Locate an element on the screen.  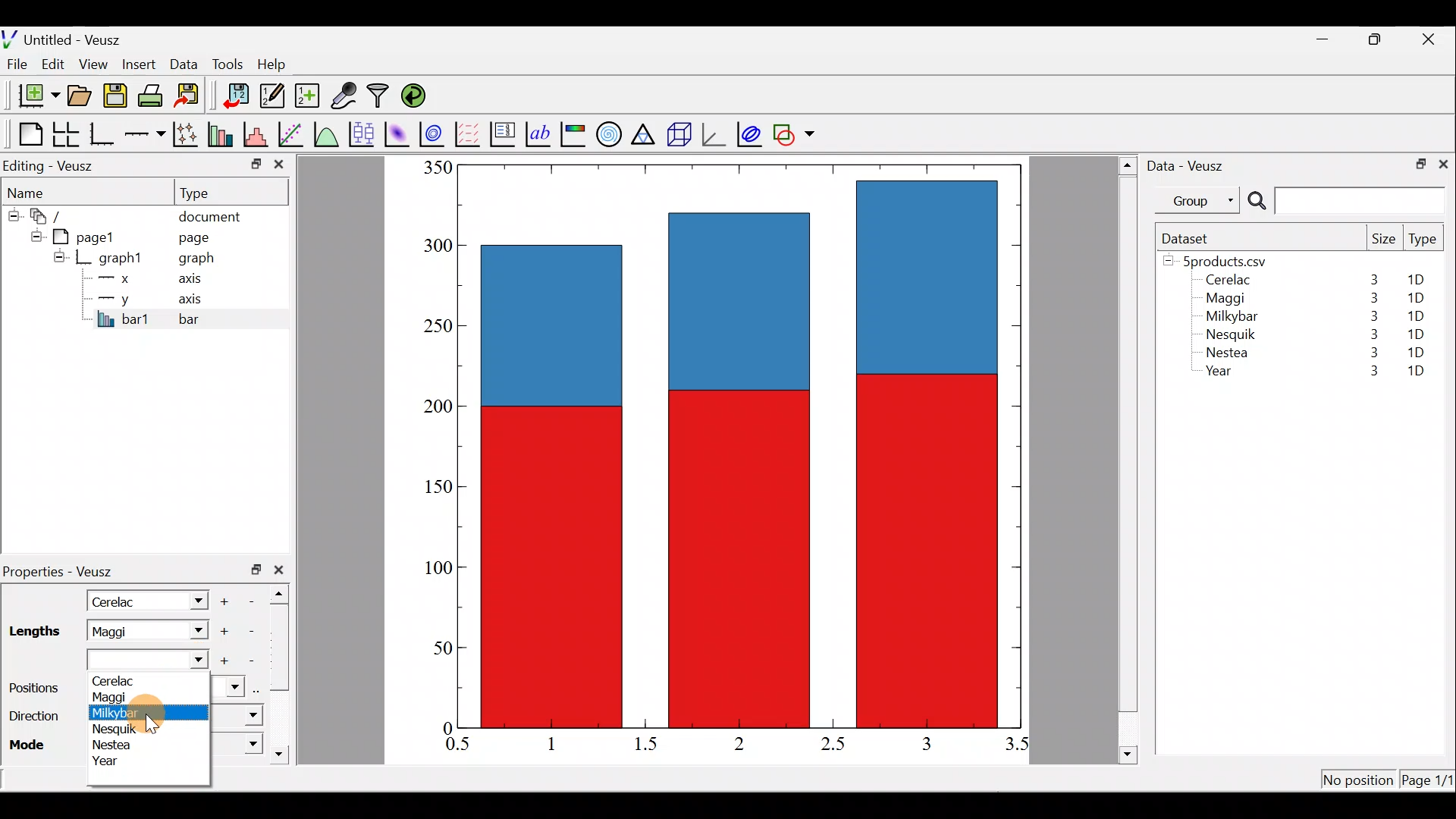
Import data into veusz is located at coordinates (237, 96).